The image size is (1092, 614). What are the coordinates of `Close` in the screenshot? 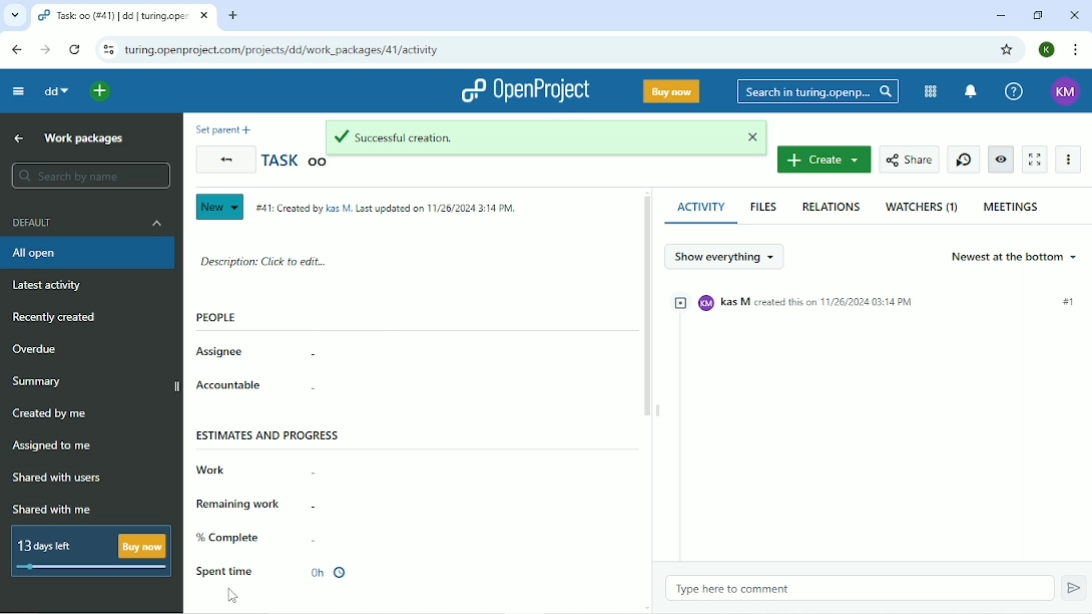 It's located at (1076, 15).